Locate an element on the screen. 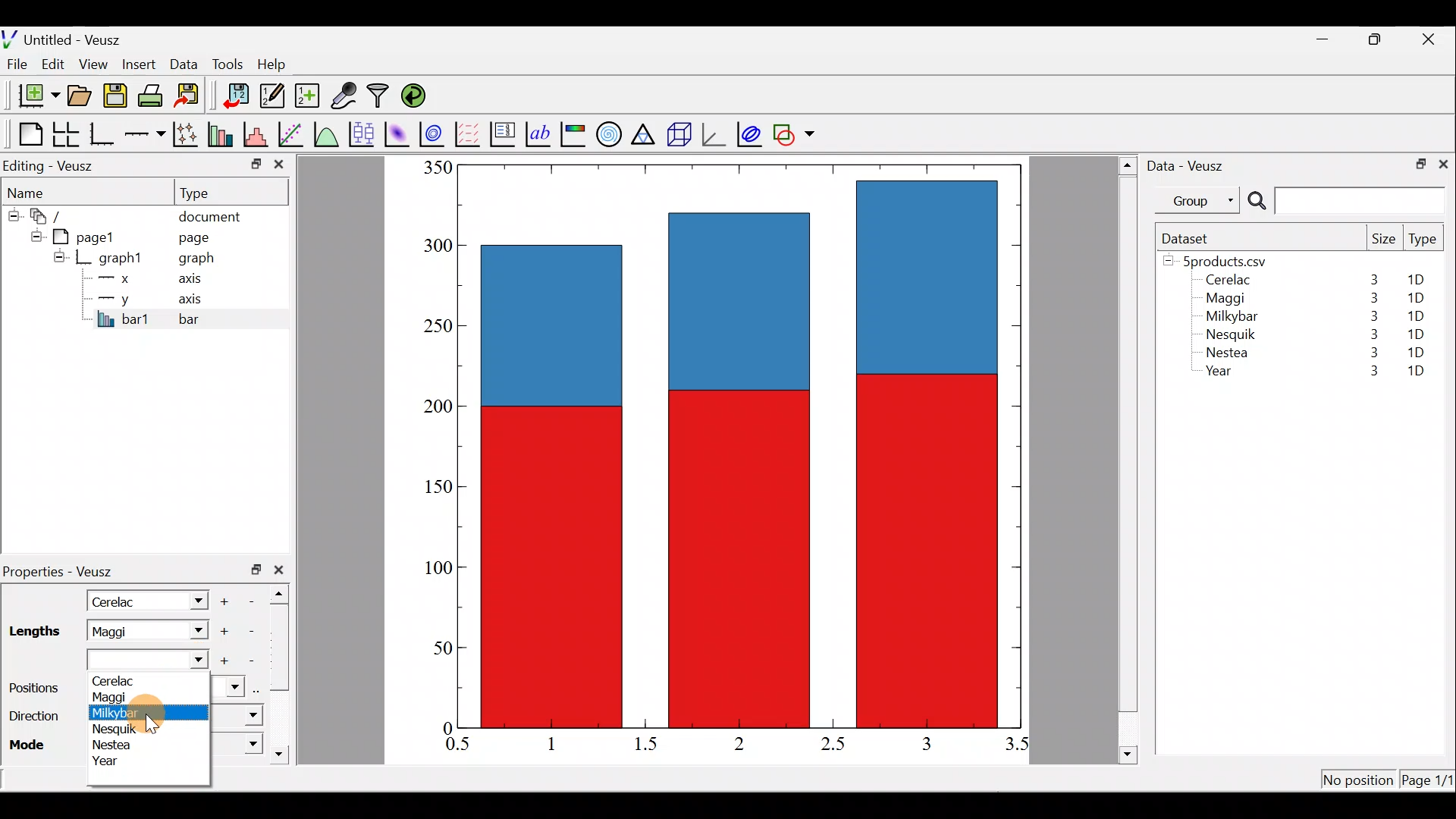 The width and height of the screenshot is (1456, 819). Tools is located at coordinates (227, 63).